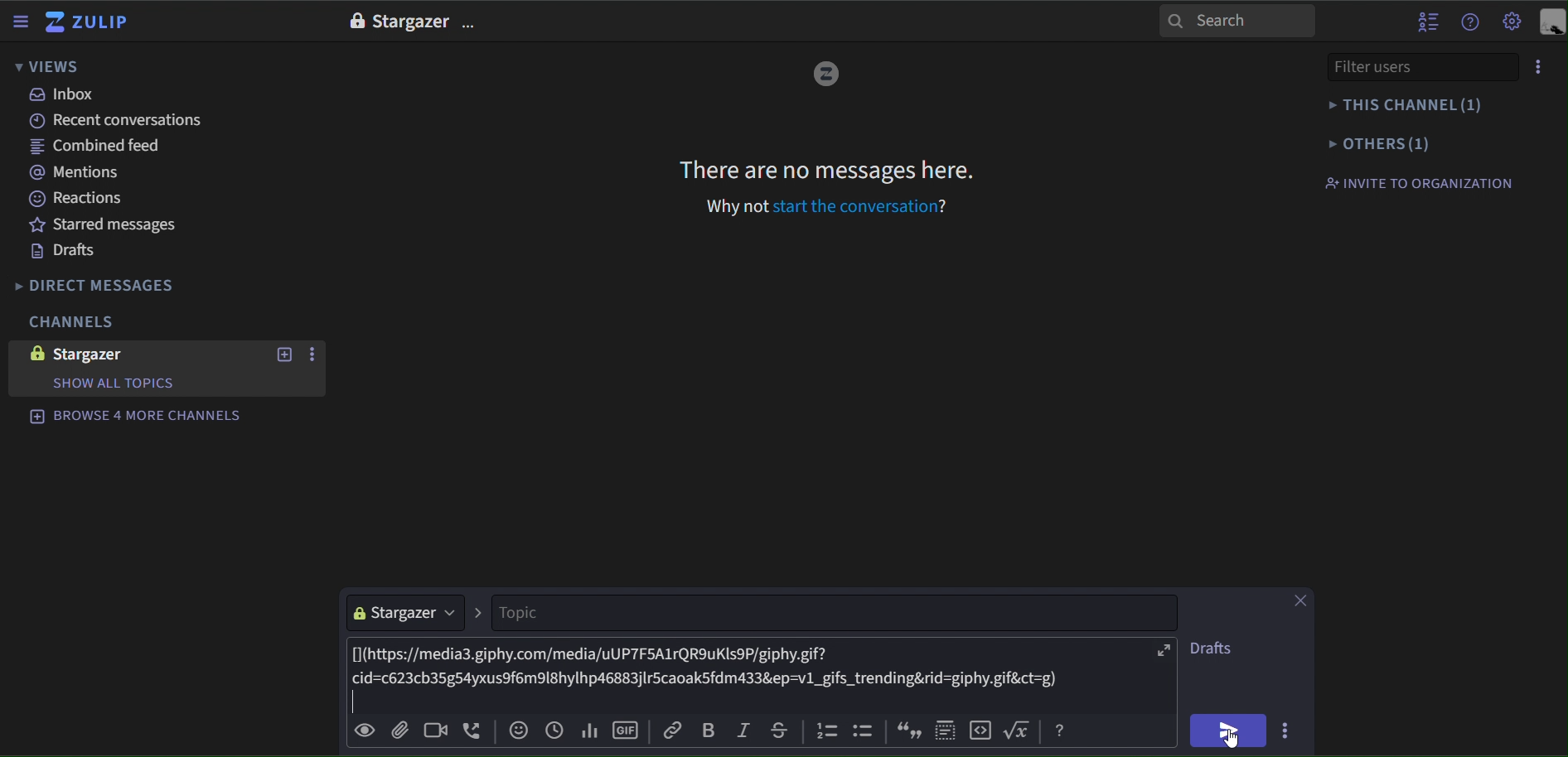 The height and width of the screenshot is (757, 1568). I want to click on stargazer, so click(406, 613).